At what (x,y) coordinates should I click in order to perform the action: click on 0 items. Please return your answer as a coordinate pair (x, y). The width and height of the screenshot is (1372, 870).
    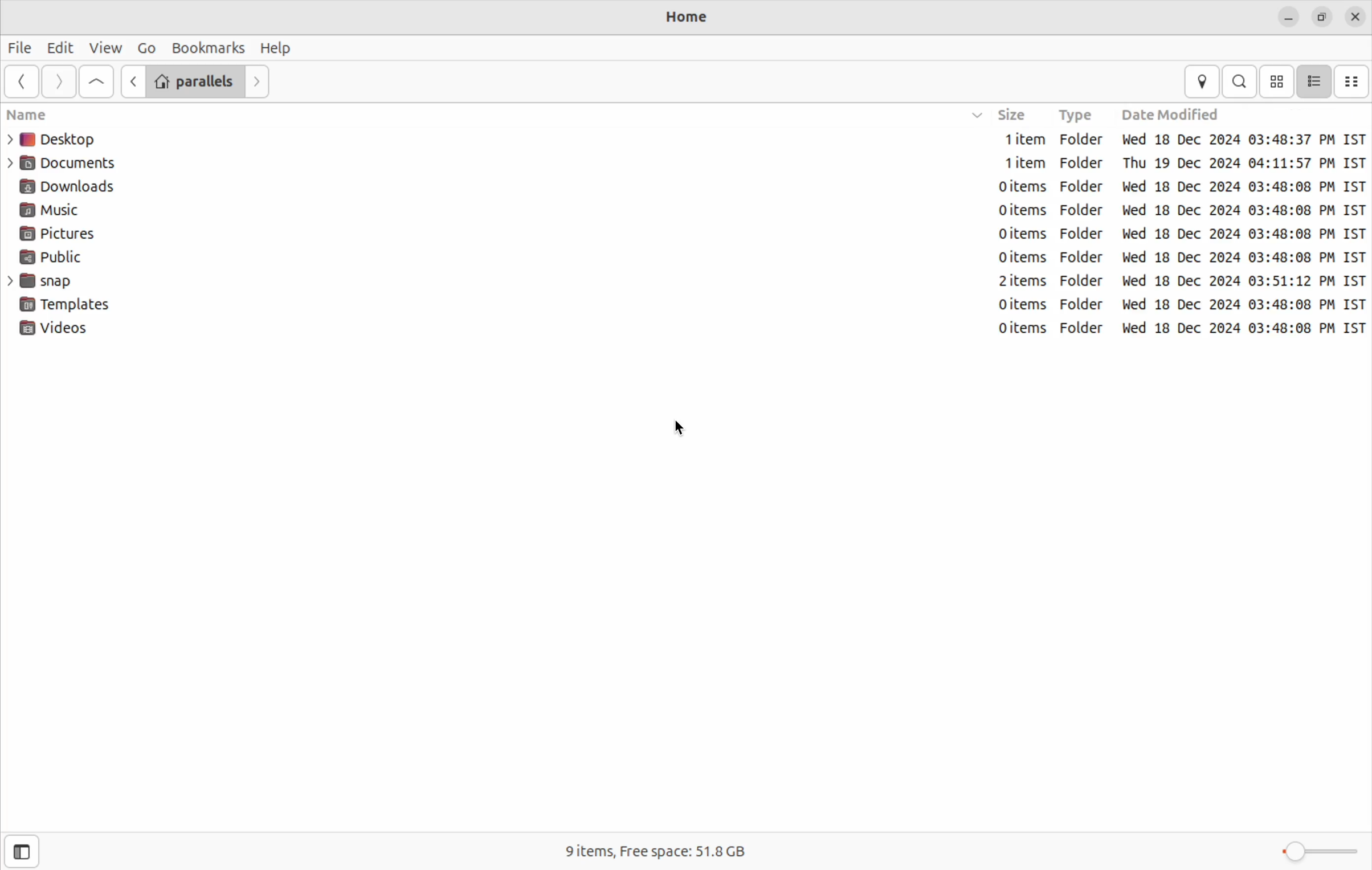
    Looking at the image, I should click on (1007, 305).